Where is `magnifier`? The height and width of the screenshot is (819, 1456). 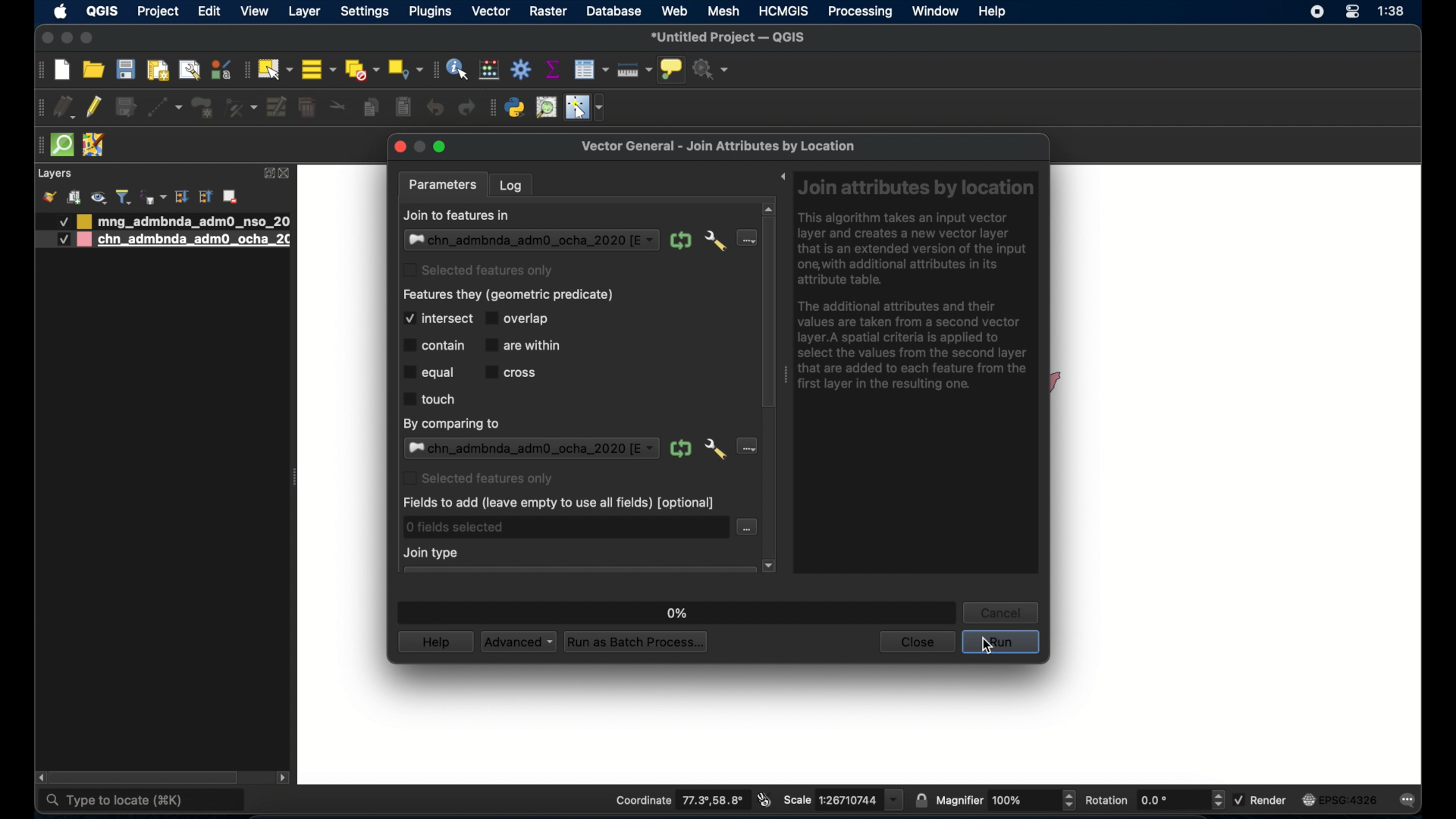
magnifier is located at coordinates (1006, 801).